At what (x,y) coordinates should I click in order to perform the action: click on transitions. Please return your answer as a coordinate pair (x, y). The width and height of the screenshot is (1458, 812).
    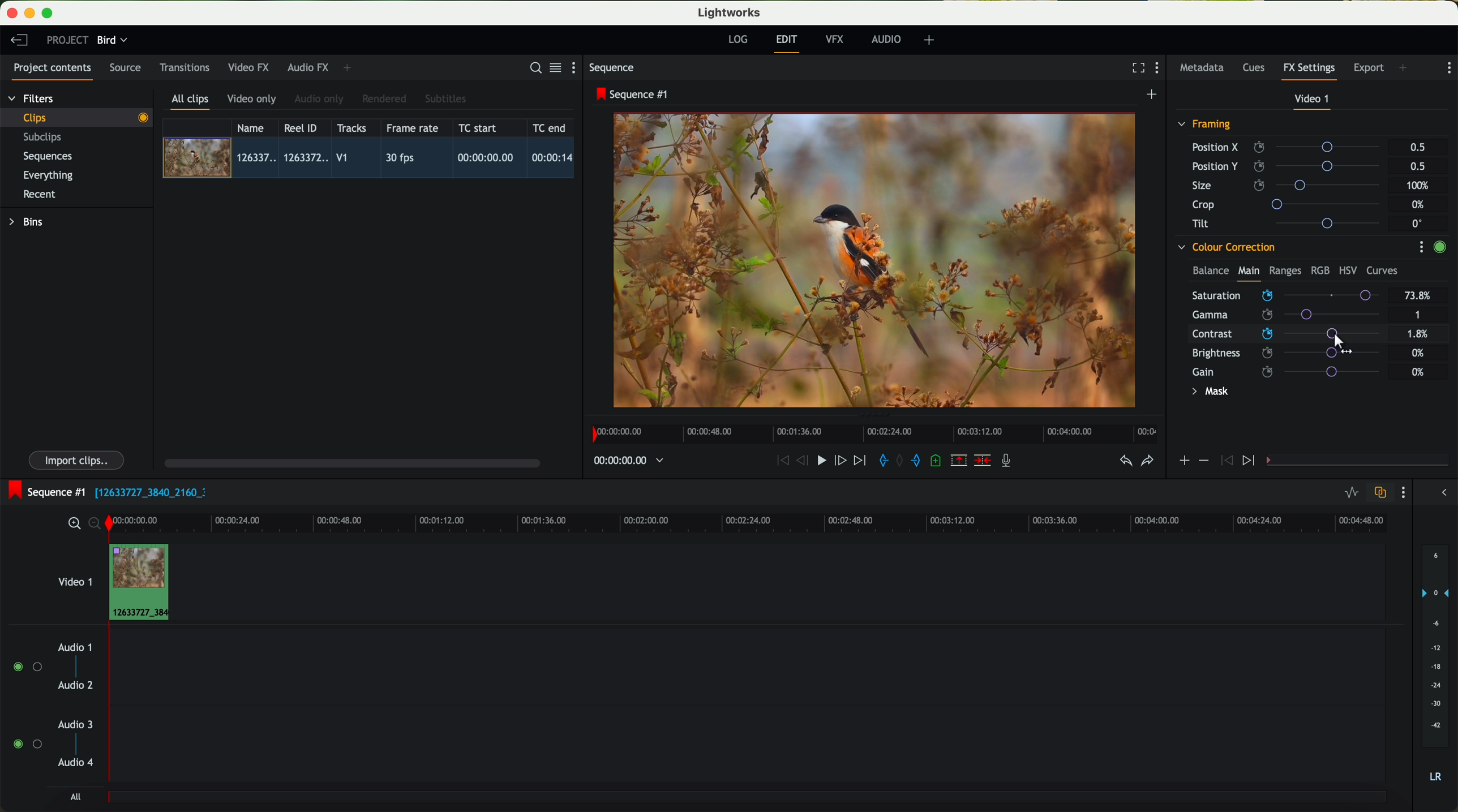
    Looking at the image, I should click on (184, 67).